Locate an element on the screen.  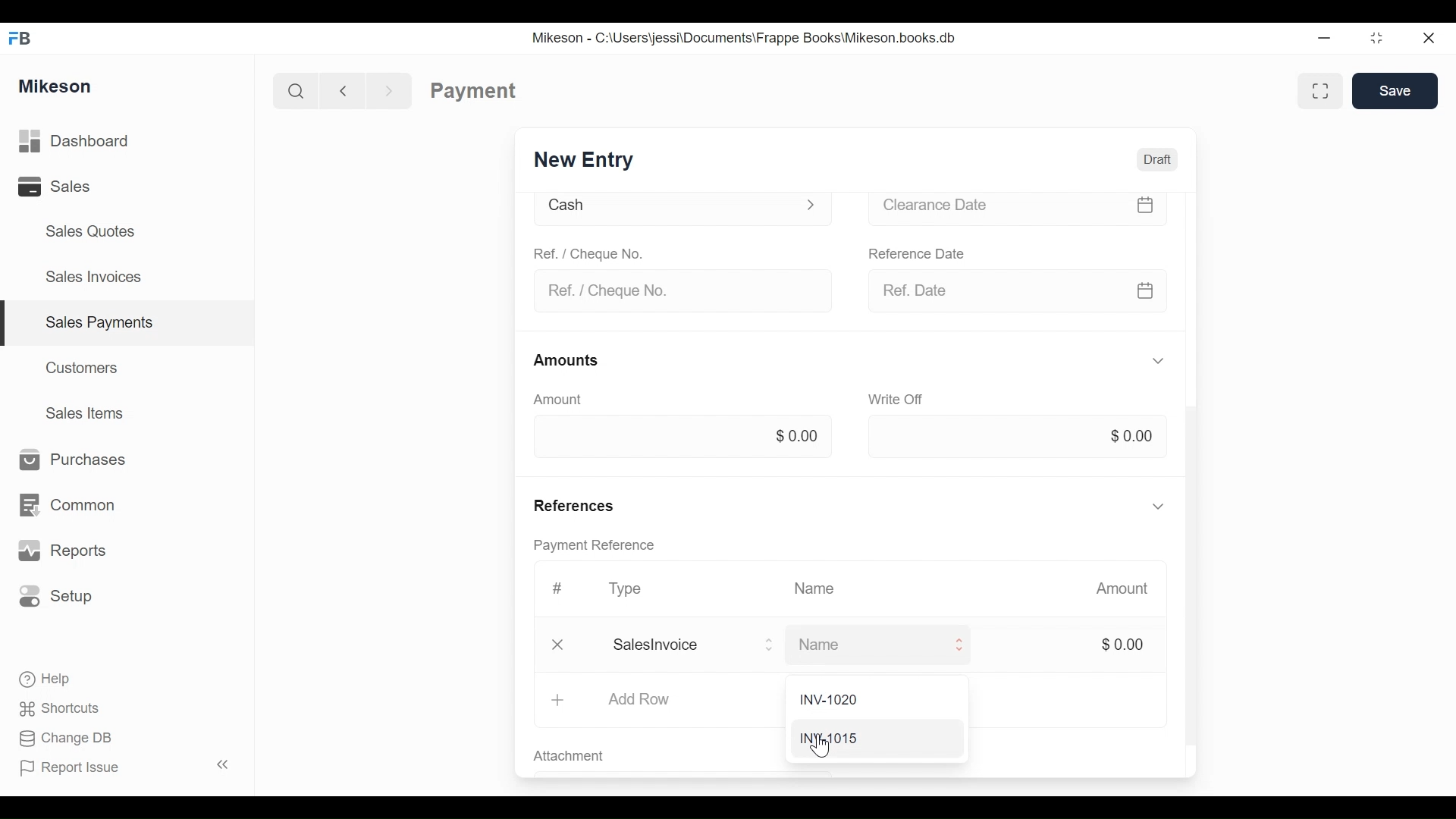
Minimize is located at coordinates (1324, 40).